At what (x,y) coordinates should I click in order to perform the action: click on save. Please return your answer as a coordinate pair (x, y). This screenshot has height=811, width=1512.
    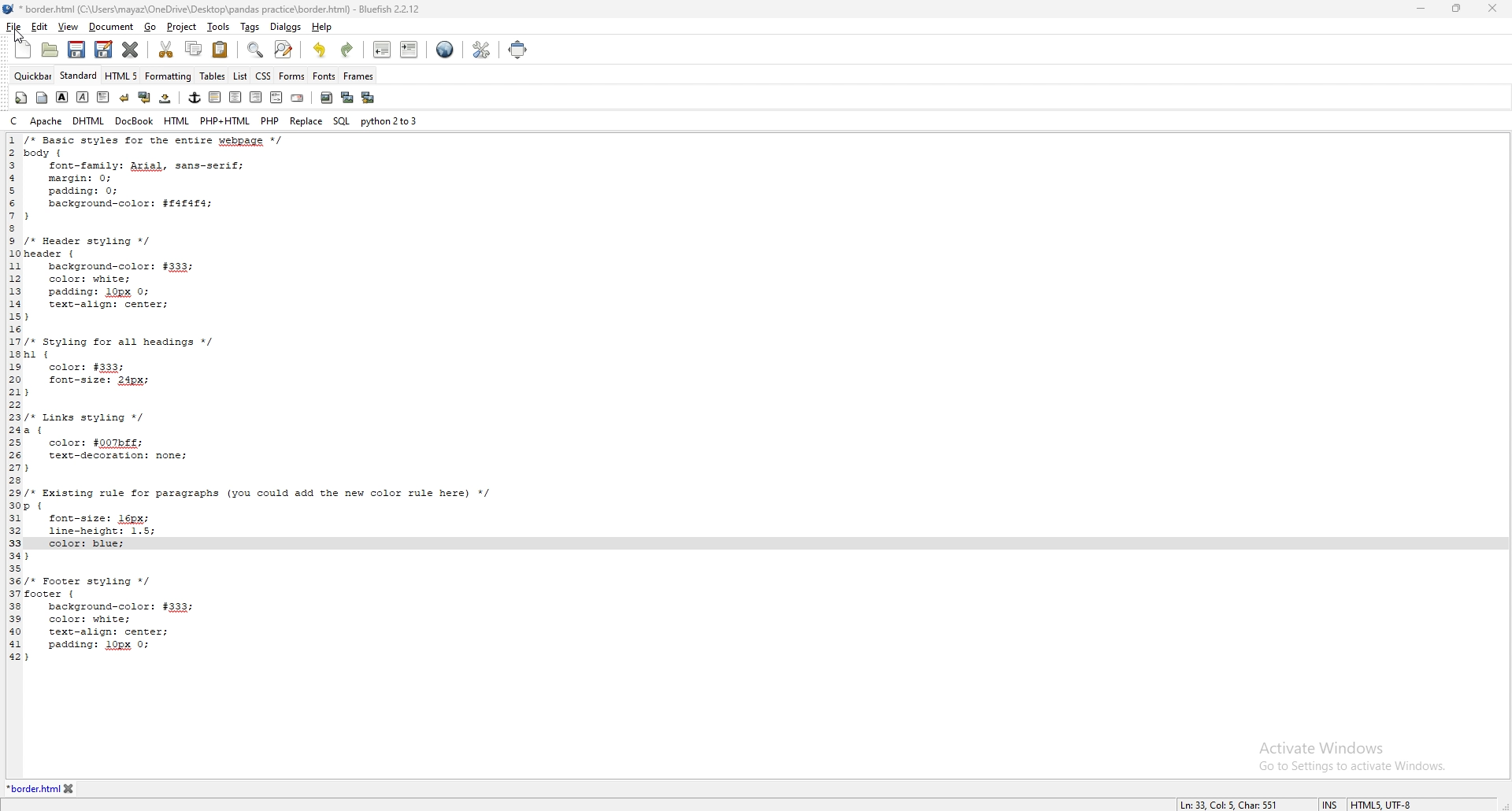
    Looking at the image, I should click on (77, 50).